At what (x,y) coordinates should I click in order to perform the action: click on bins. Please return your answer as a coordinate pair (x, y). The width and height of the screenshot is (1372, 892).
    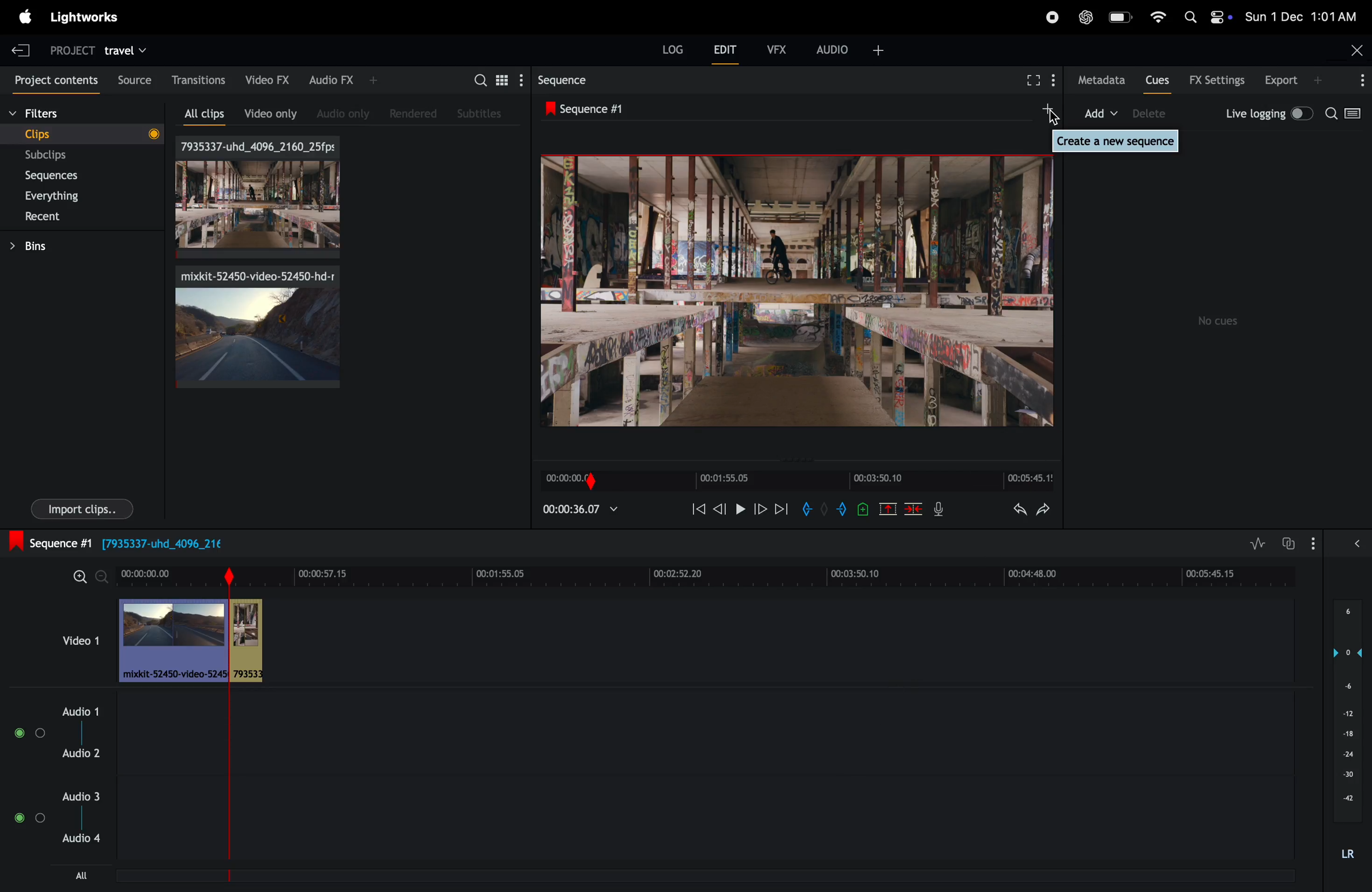
    Looking at the image, I should click on (77, 246).